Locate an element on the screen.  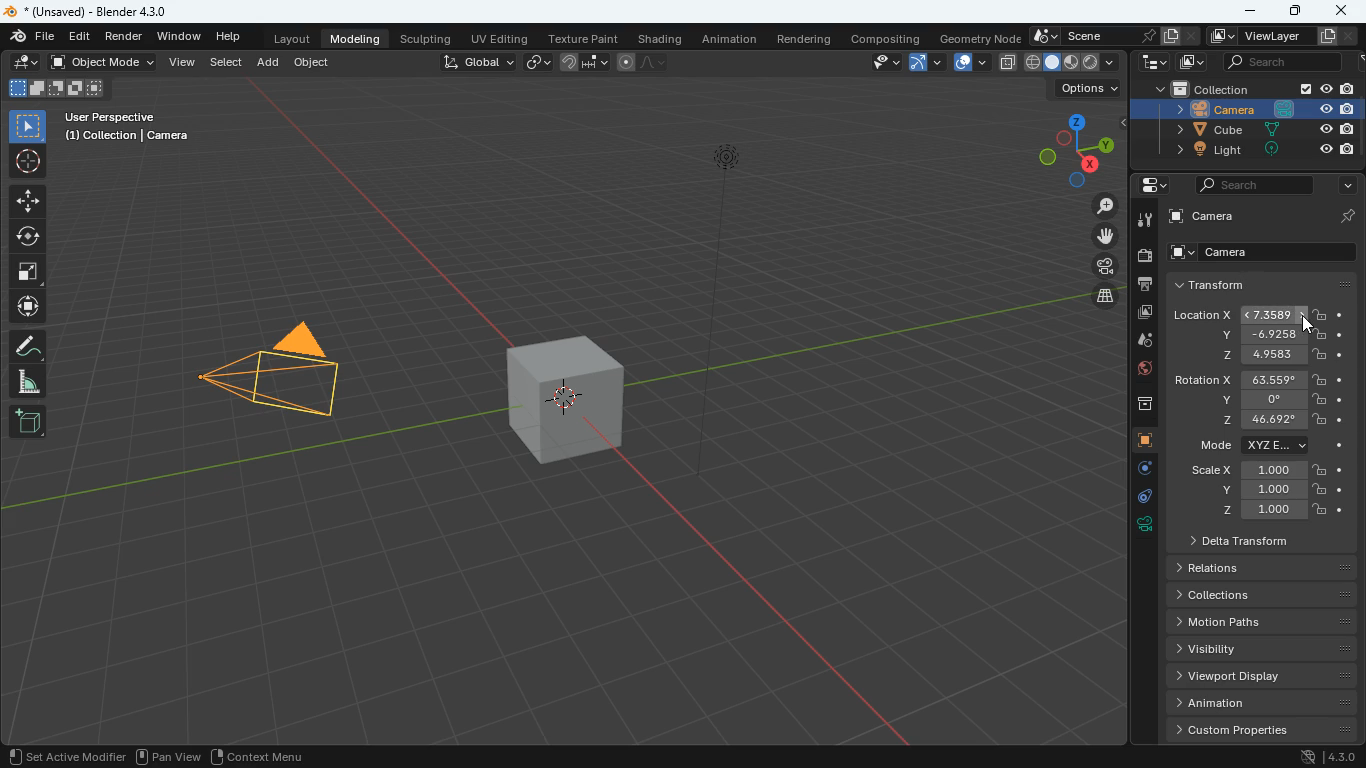
settings is located at coordinates (1136, 469).